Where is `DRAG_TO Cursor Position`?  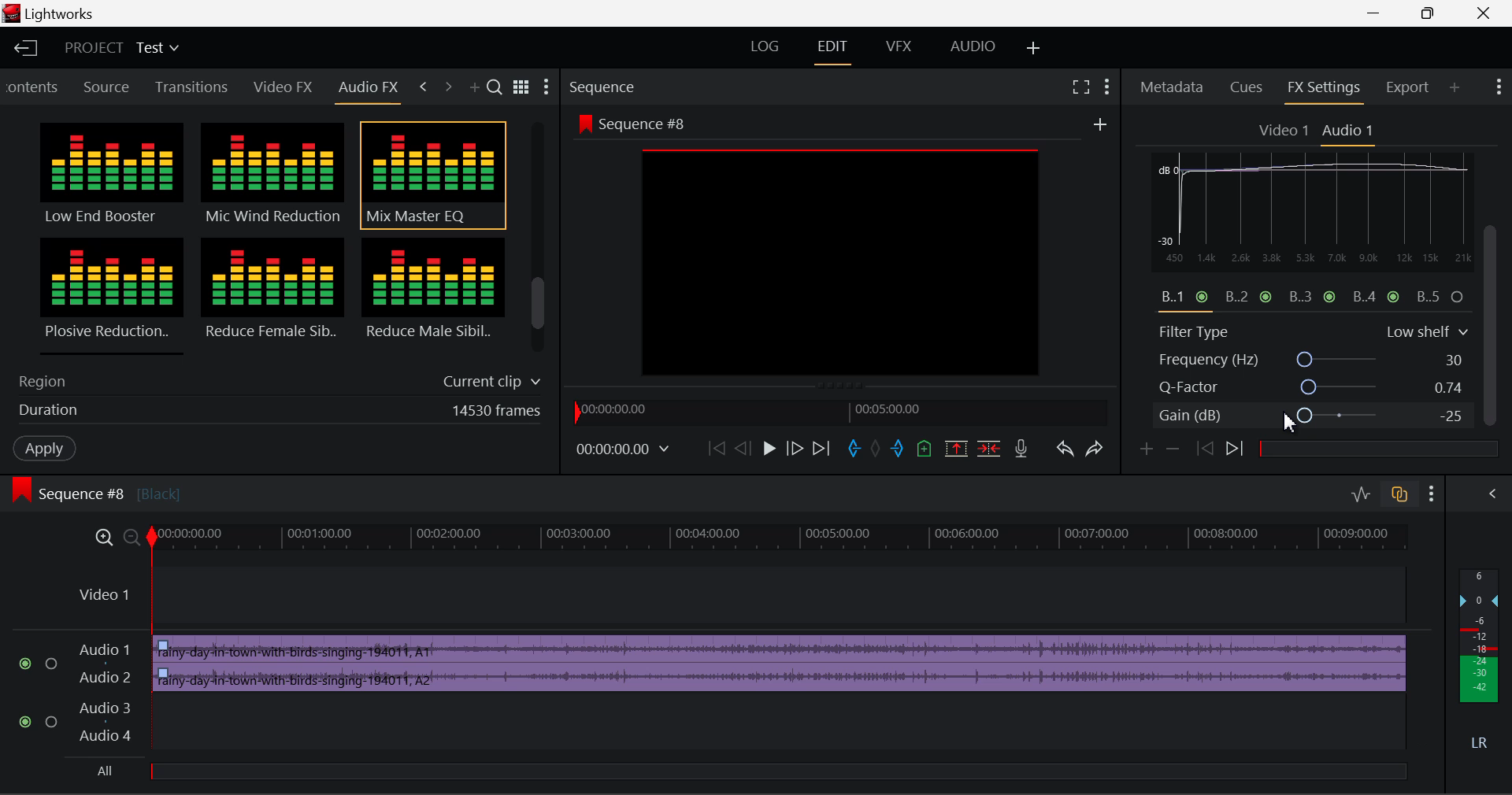 DRAG_TO Cursor Position is located at coordinates (1296, 417).